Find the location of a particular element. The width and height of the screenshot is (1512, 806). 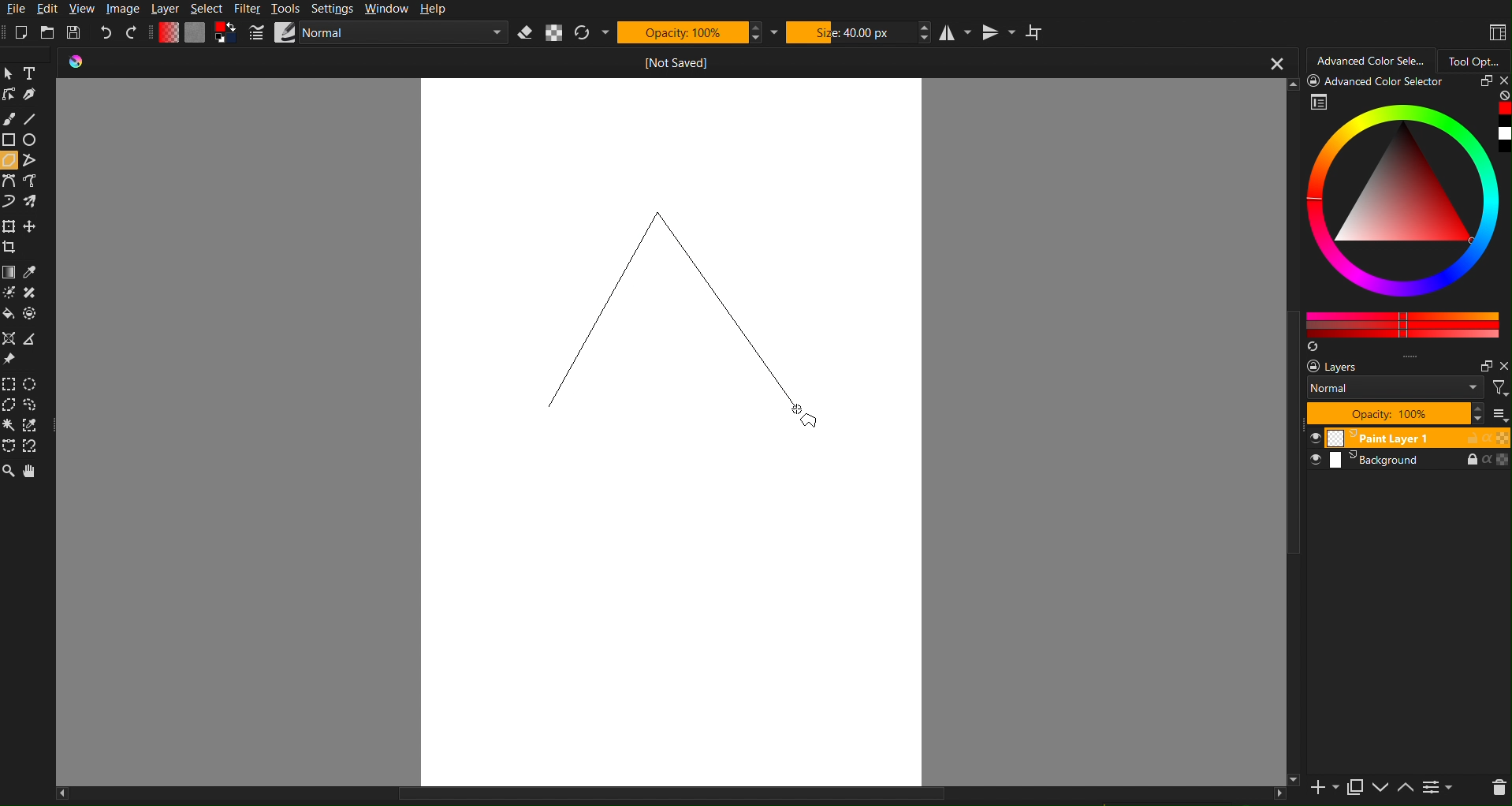

Line 1 is located at coordinates (580, 315).